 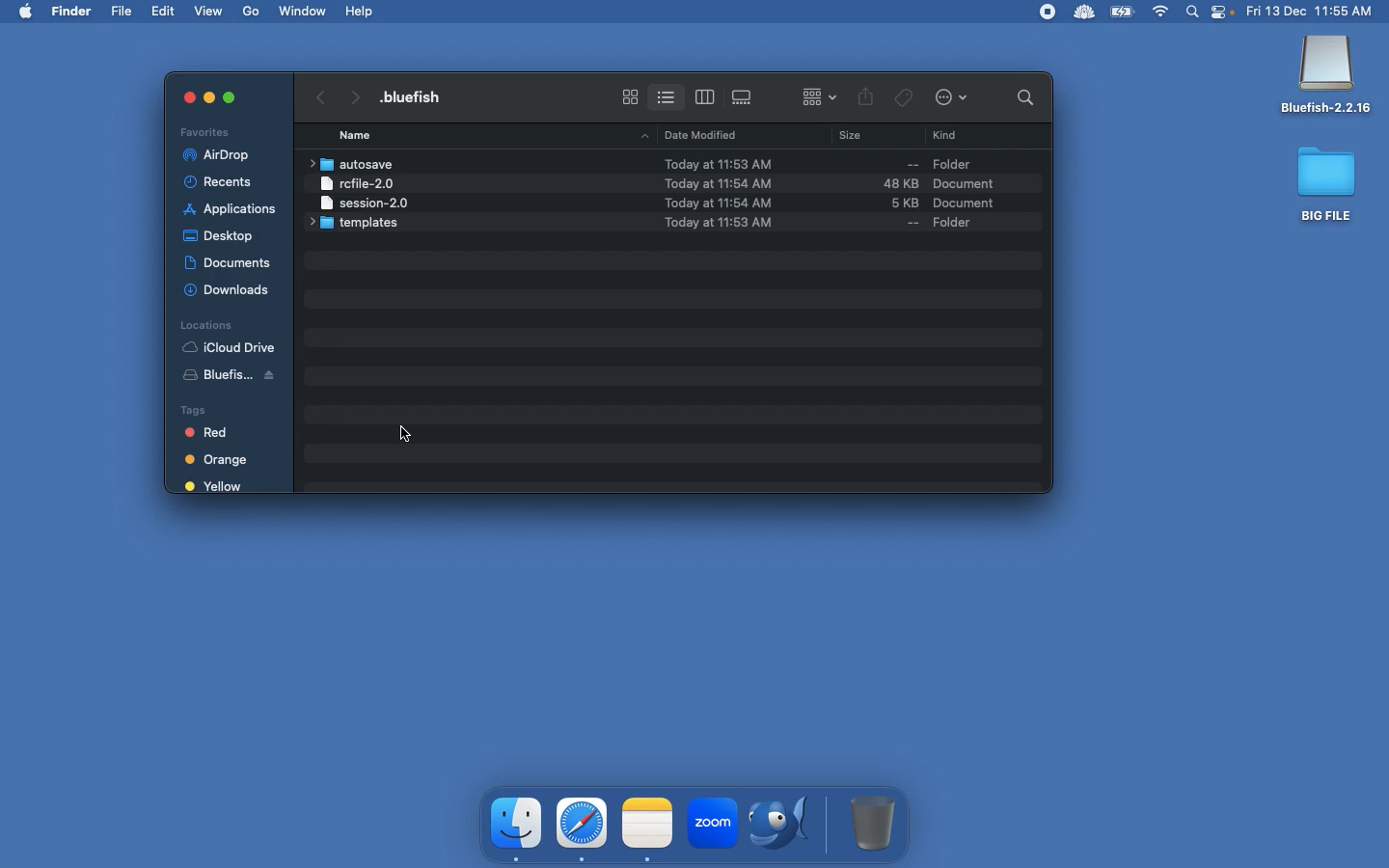 I want to click on kind, so click(x=949, y=136).